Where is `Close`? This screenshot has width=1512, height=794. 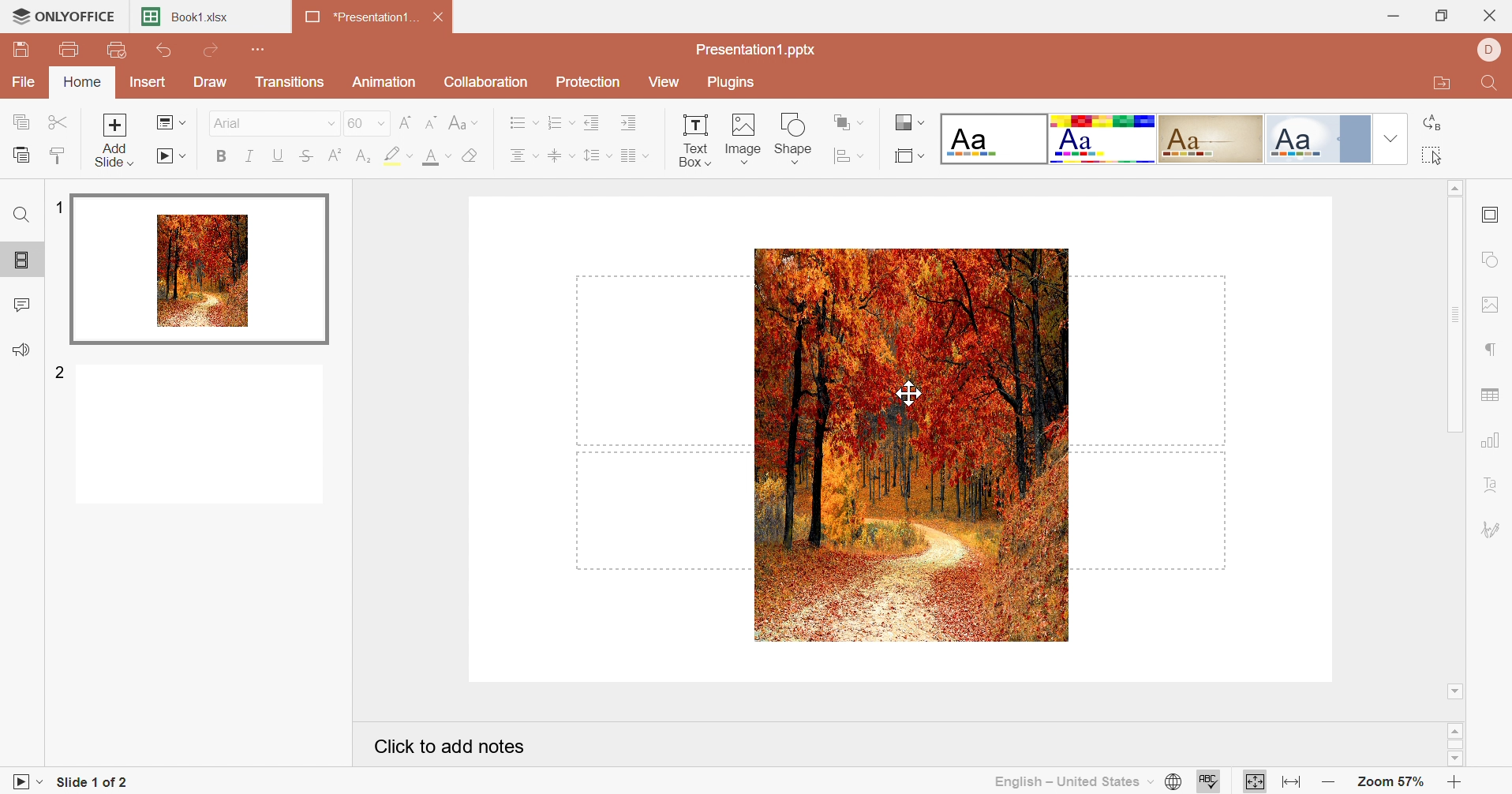 Close is located at coordinates (441, 19).